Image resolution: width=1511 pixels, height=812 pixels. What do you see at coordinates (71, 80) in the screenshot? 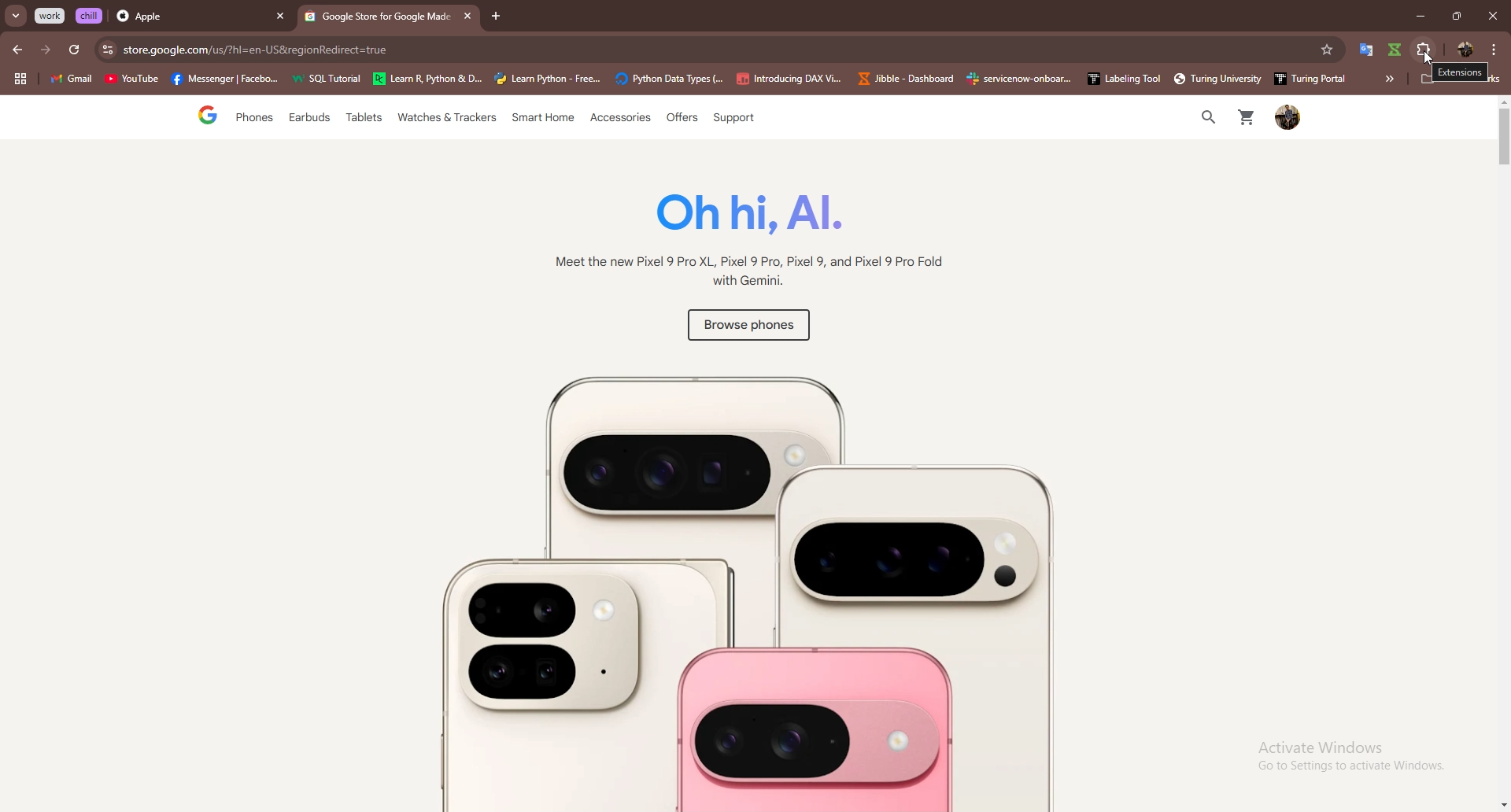
I see `gmail` at bounding box center [71, 80].